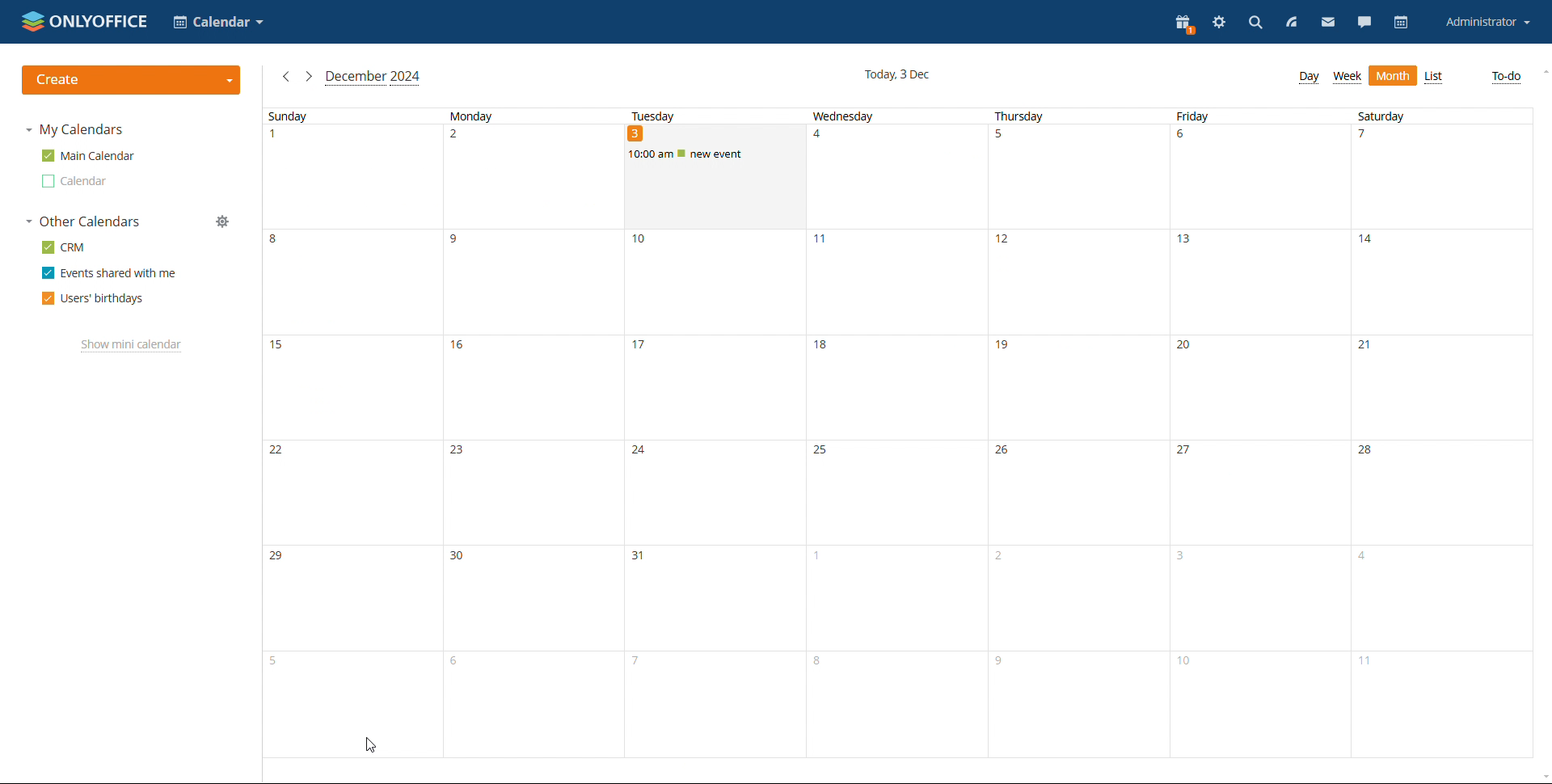 The width and height of the screenshot is (1552, 784). What do you see at coordinates (1077, 597) in the screenshot?
I see `2` at bounding box center [1077, 597].